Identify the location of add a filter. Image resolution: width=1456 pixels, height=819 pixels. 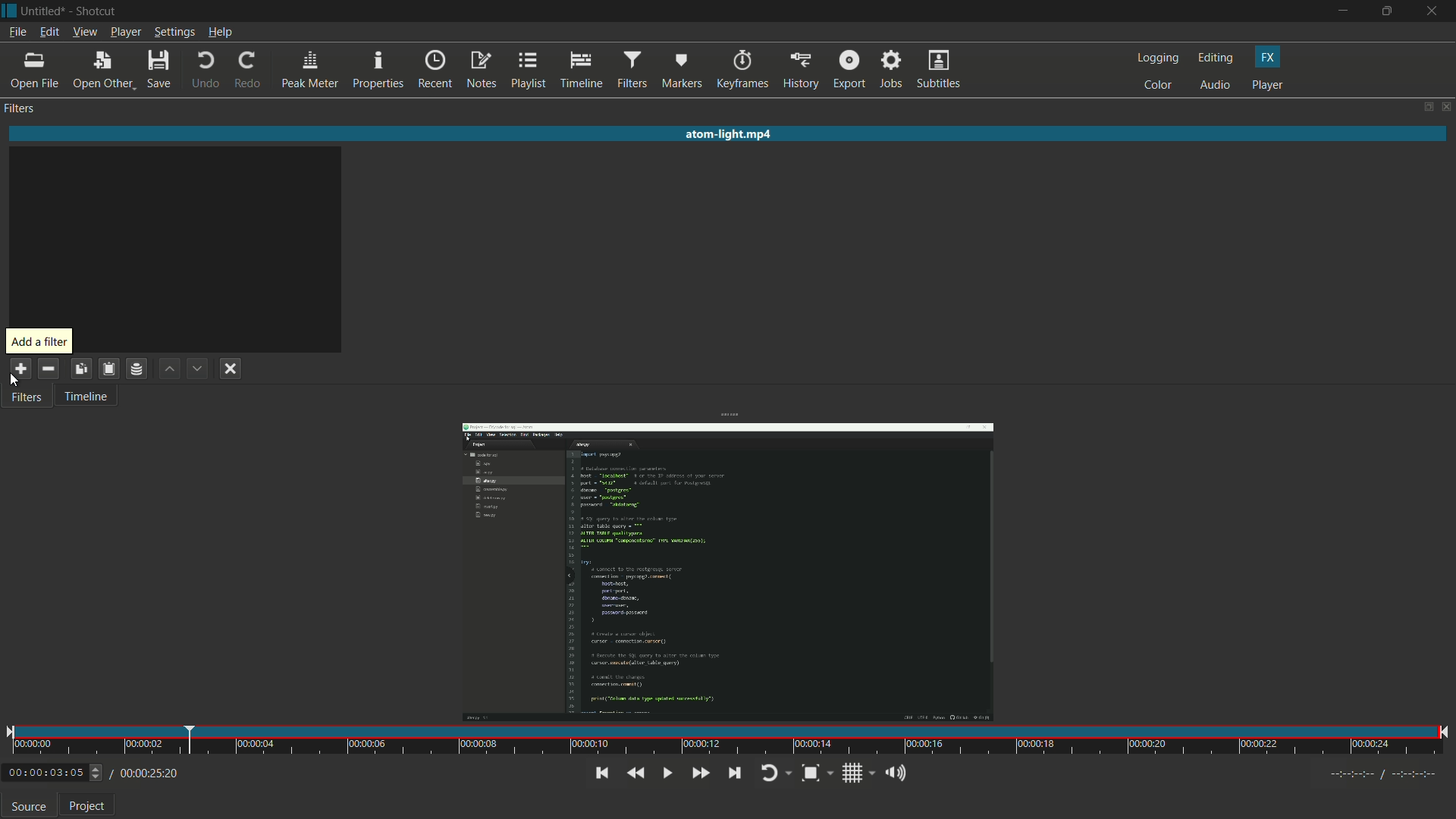
(39, 340).